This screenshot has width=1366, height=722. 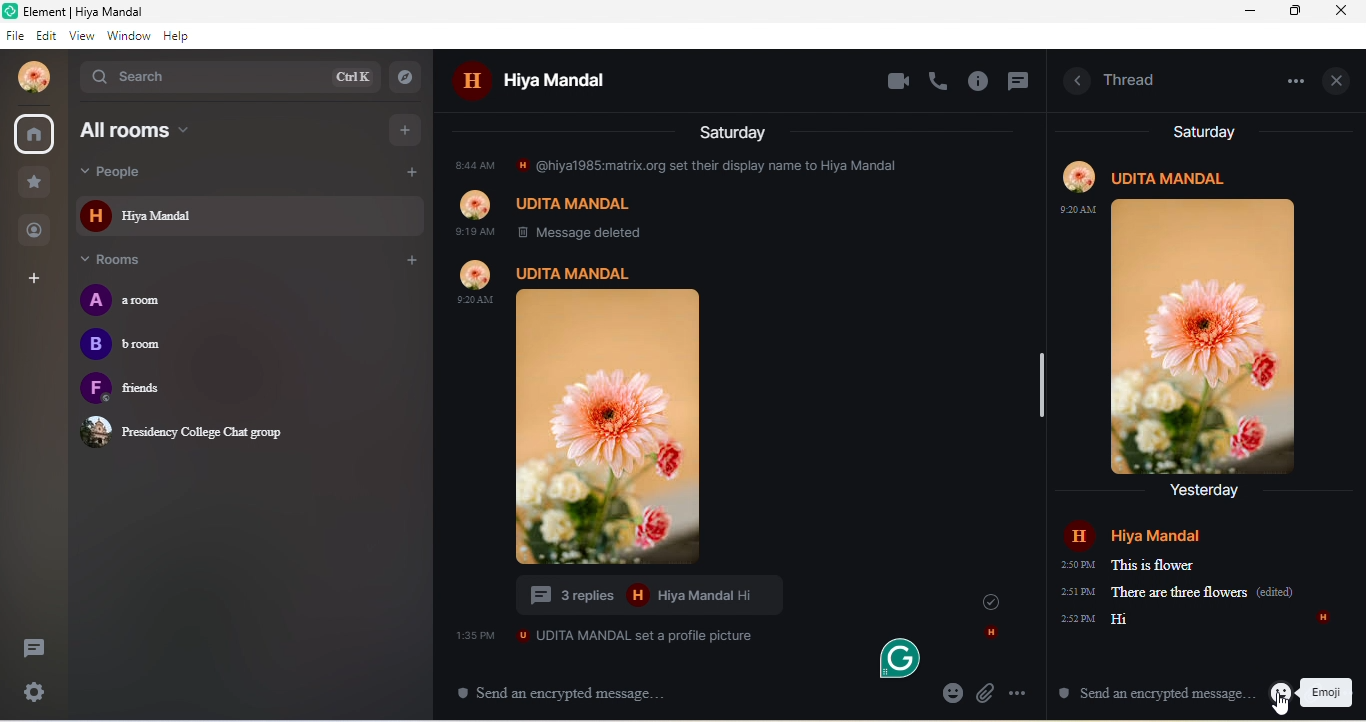 I want to click on thread, so click(x=1018, y=80).